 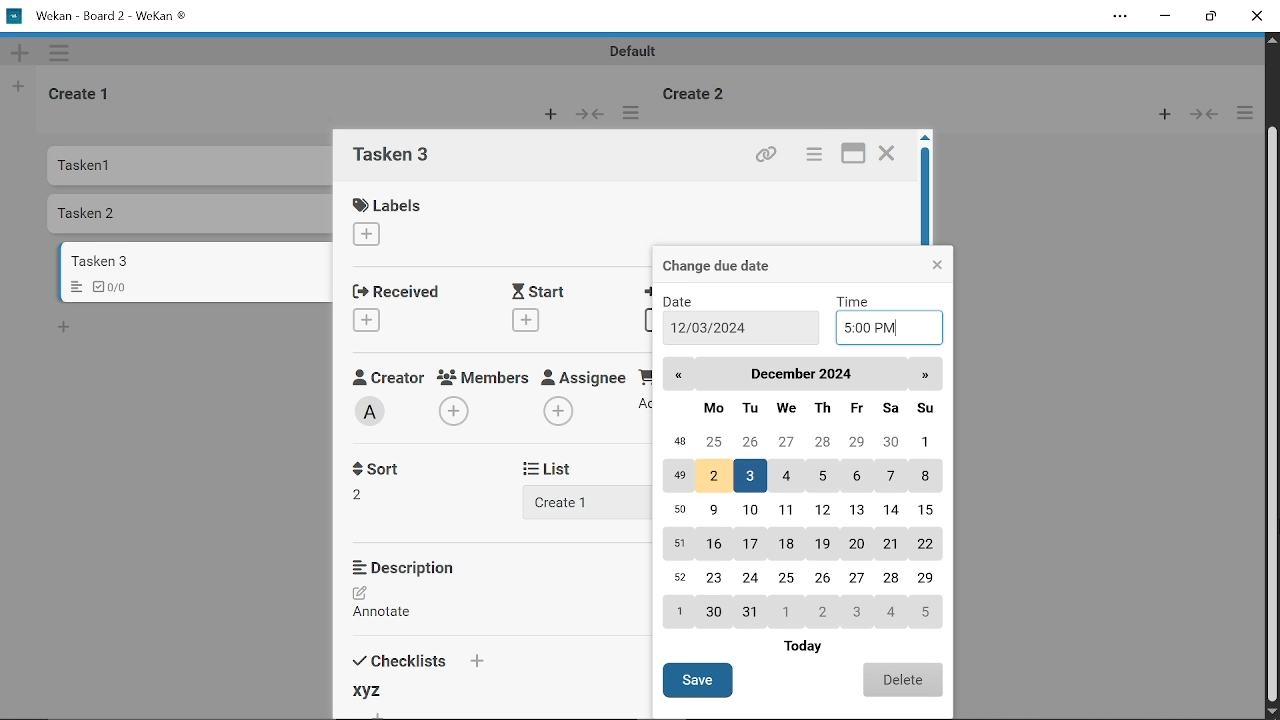 What do you see at coordinates (636, 51) in the screenshot?
I see `Default` at bounding box center [636, 51].